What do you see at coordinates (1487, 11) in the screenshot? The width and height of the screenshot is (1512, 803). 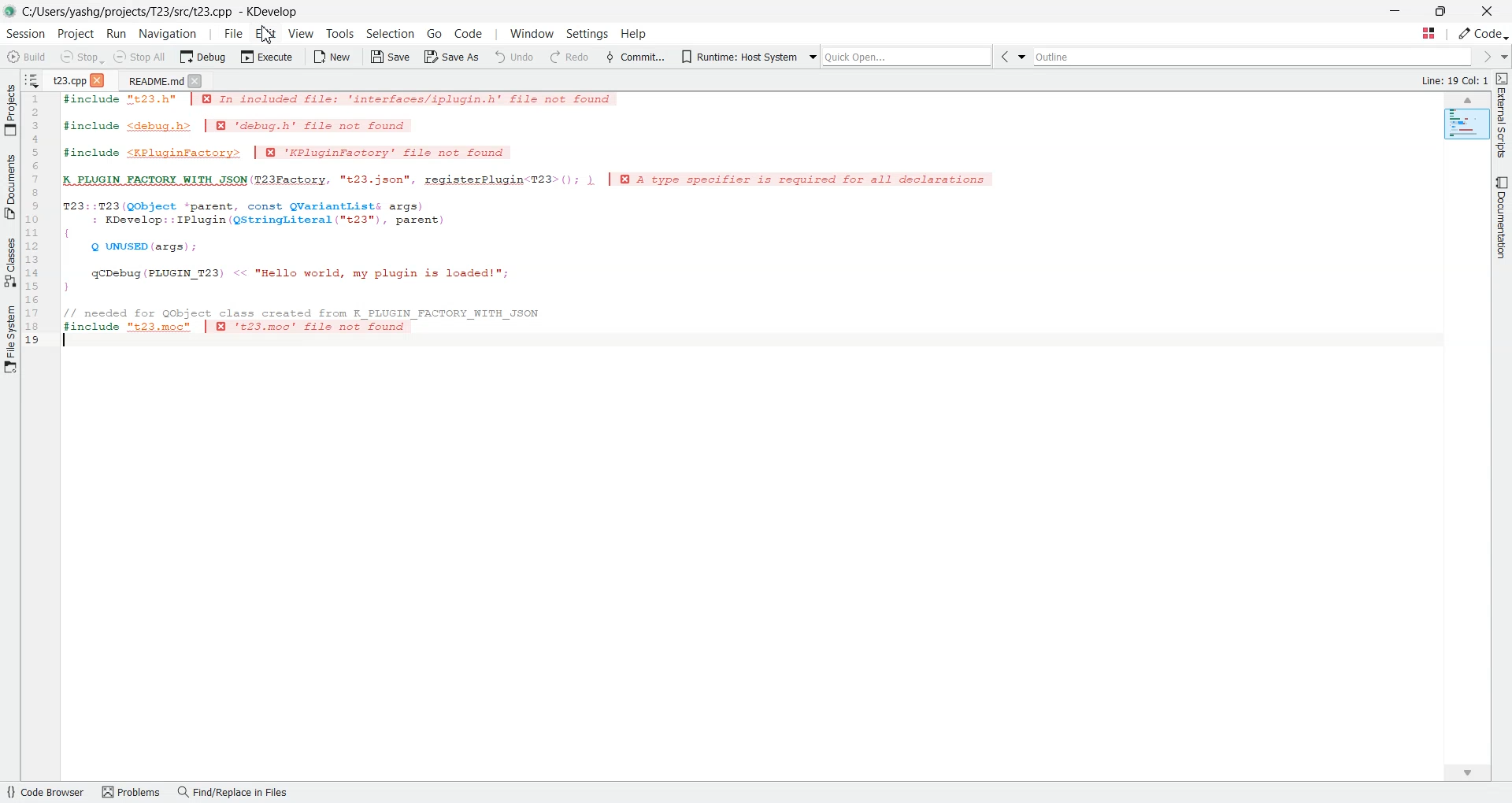 I see `Close` at bounding box center [1487, 11].